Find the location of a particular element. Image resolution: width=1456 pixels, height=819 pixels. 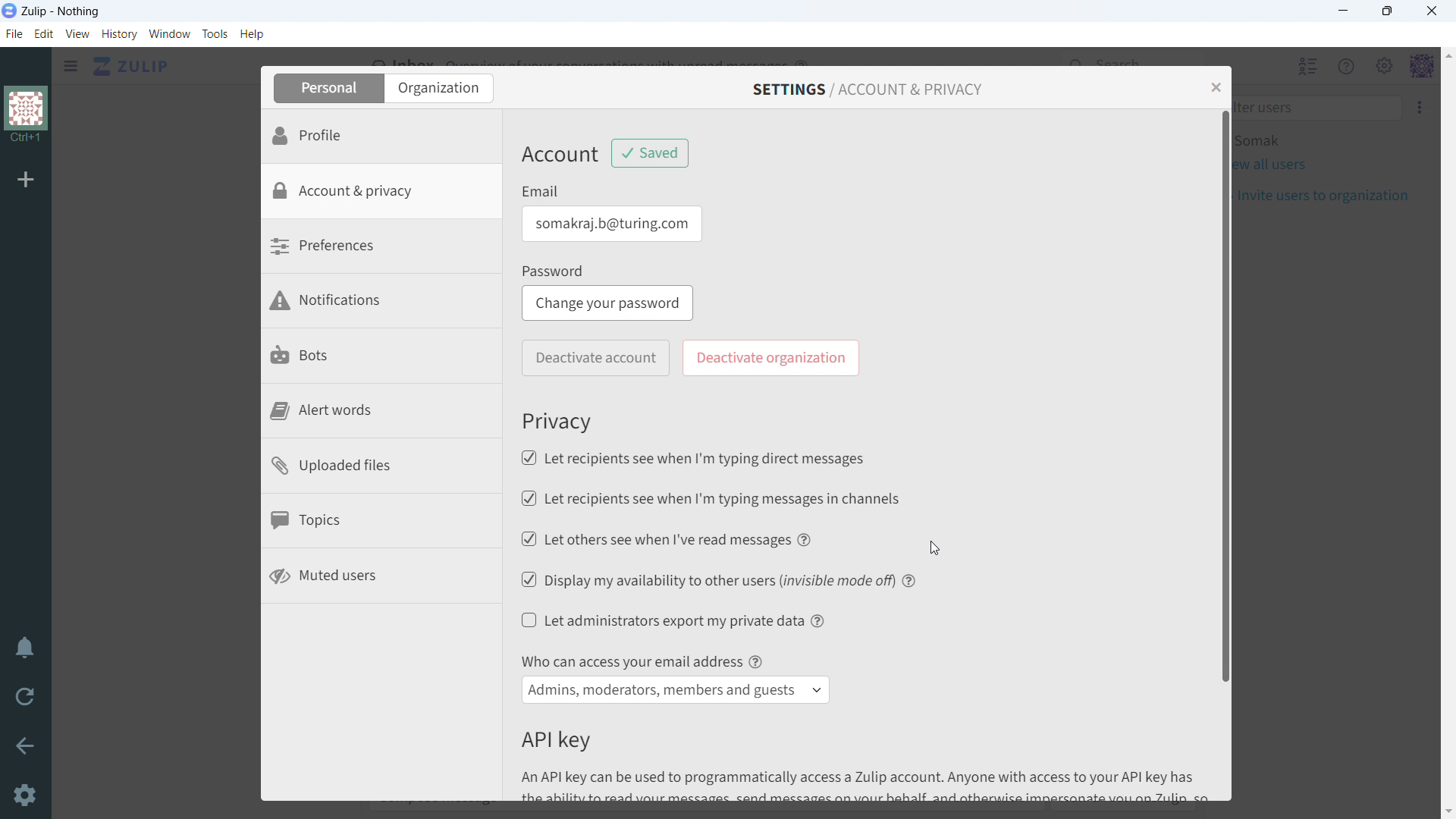

Account is located at coordinates (559, 156).